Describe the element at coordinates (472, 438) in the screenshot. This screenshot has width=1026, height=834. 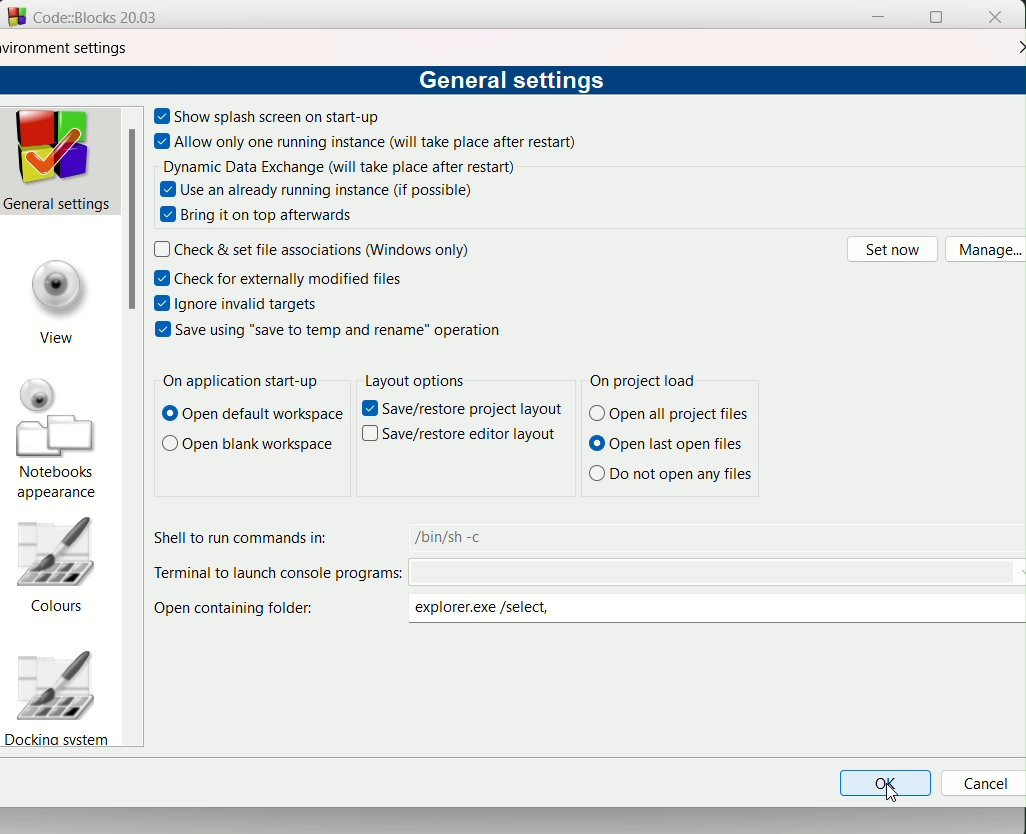
I see `` at that location.